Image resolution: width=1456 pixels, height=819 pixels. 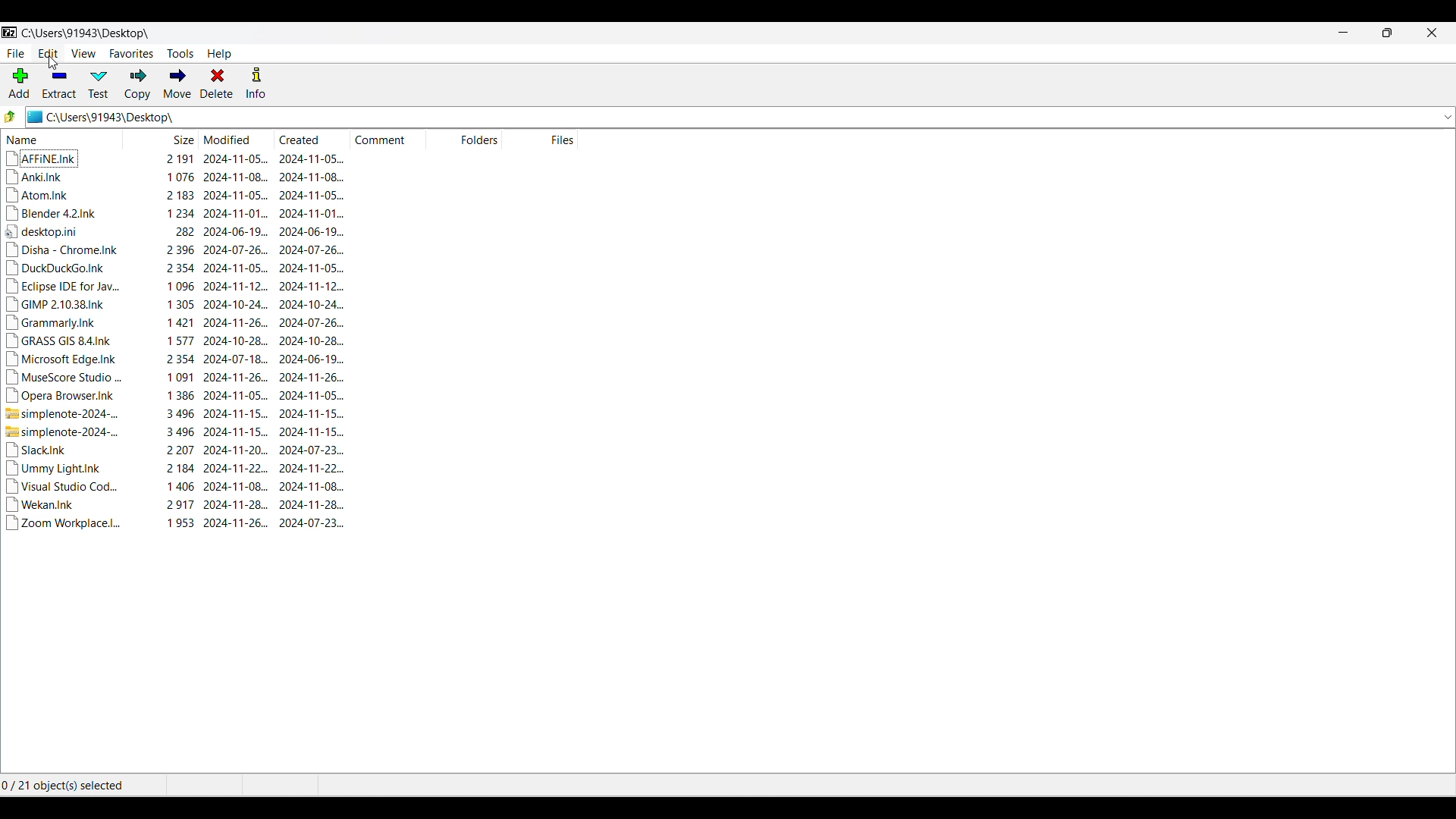 I want to click on Favorites menu, so click(x=131, y=54).